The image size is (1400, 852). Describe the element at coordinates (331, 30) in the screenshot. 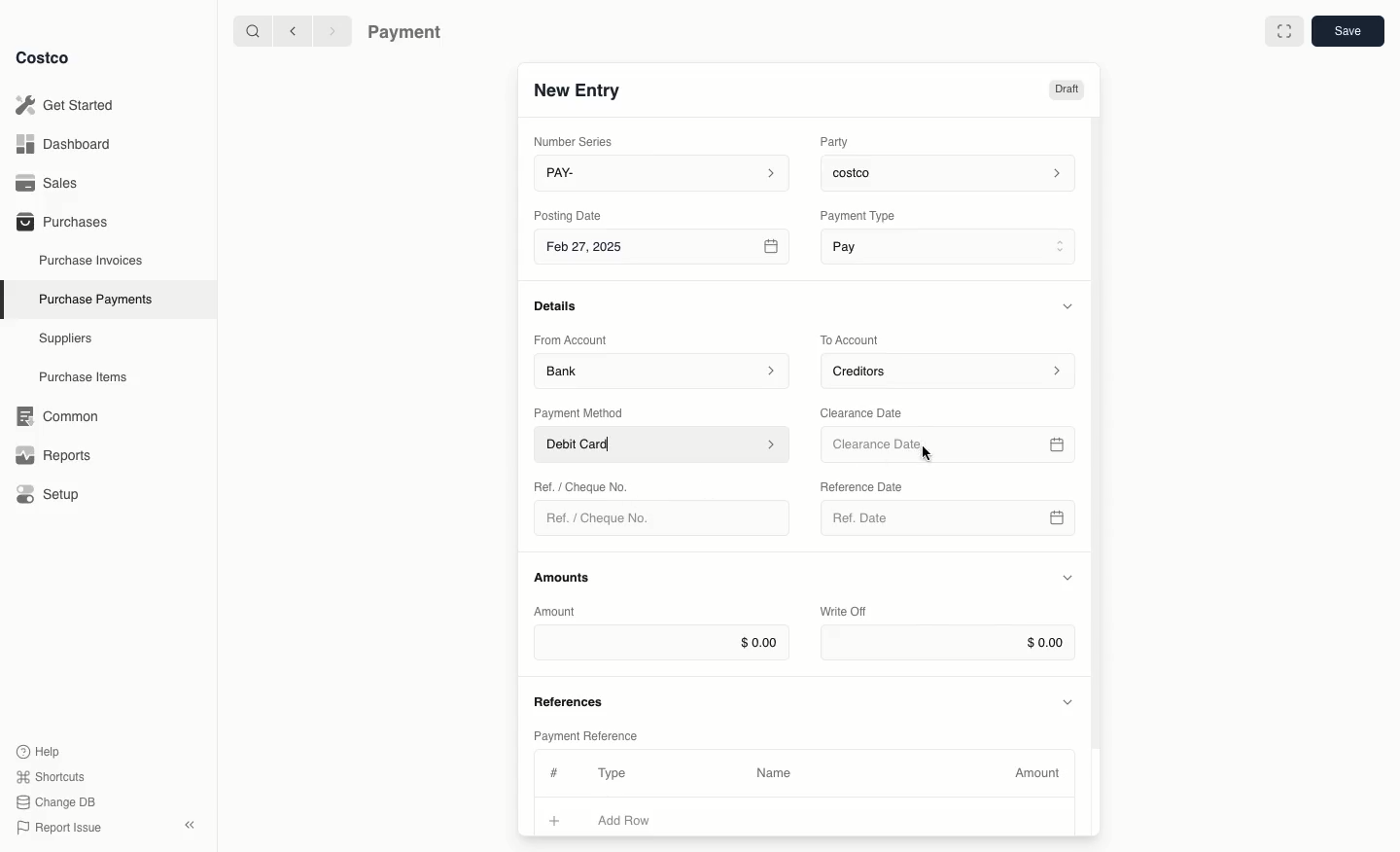

I see `Forward` at that location.